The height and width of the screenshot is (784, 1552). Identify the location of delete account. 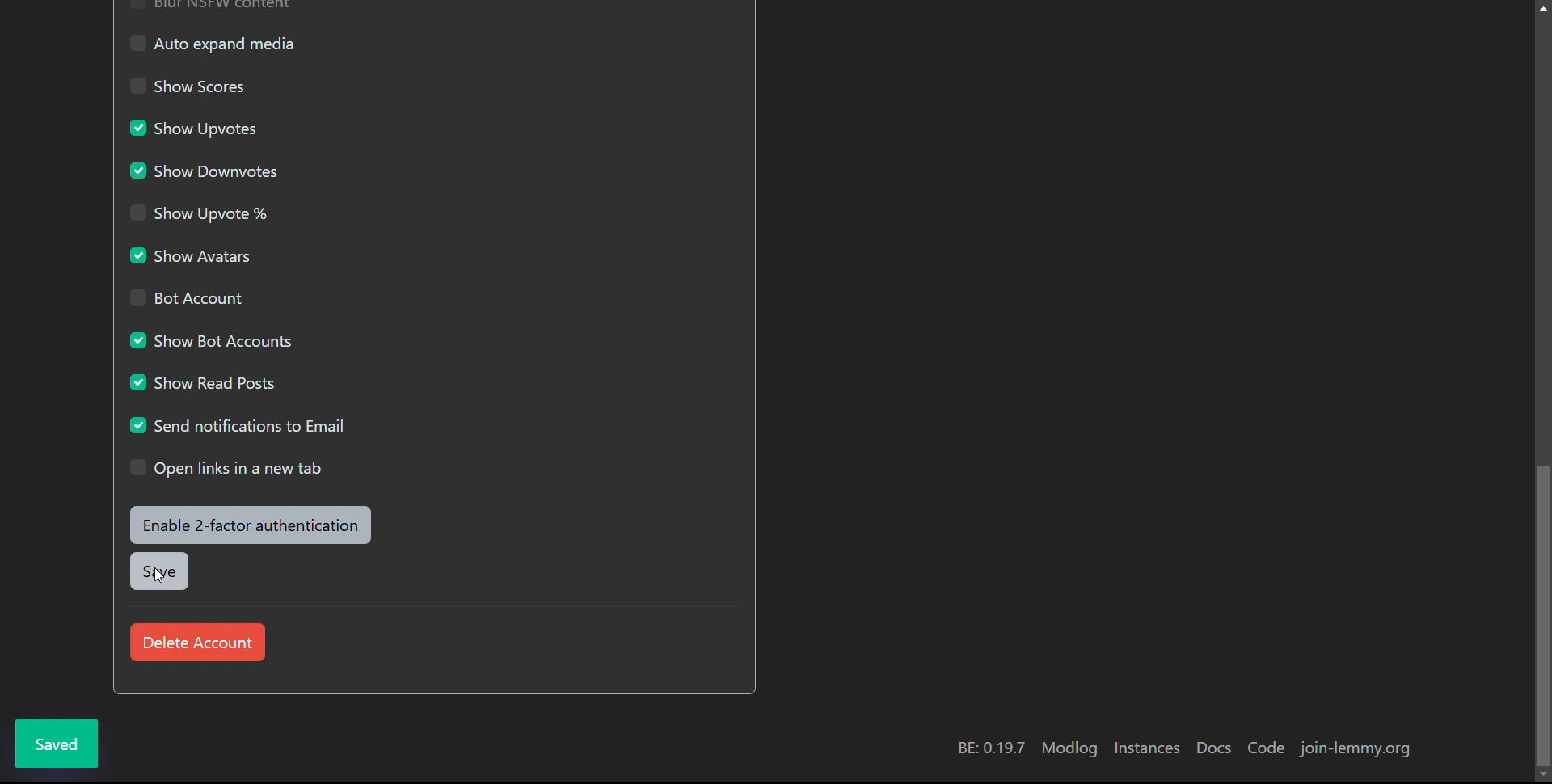
(196, 642).